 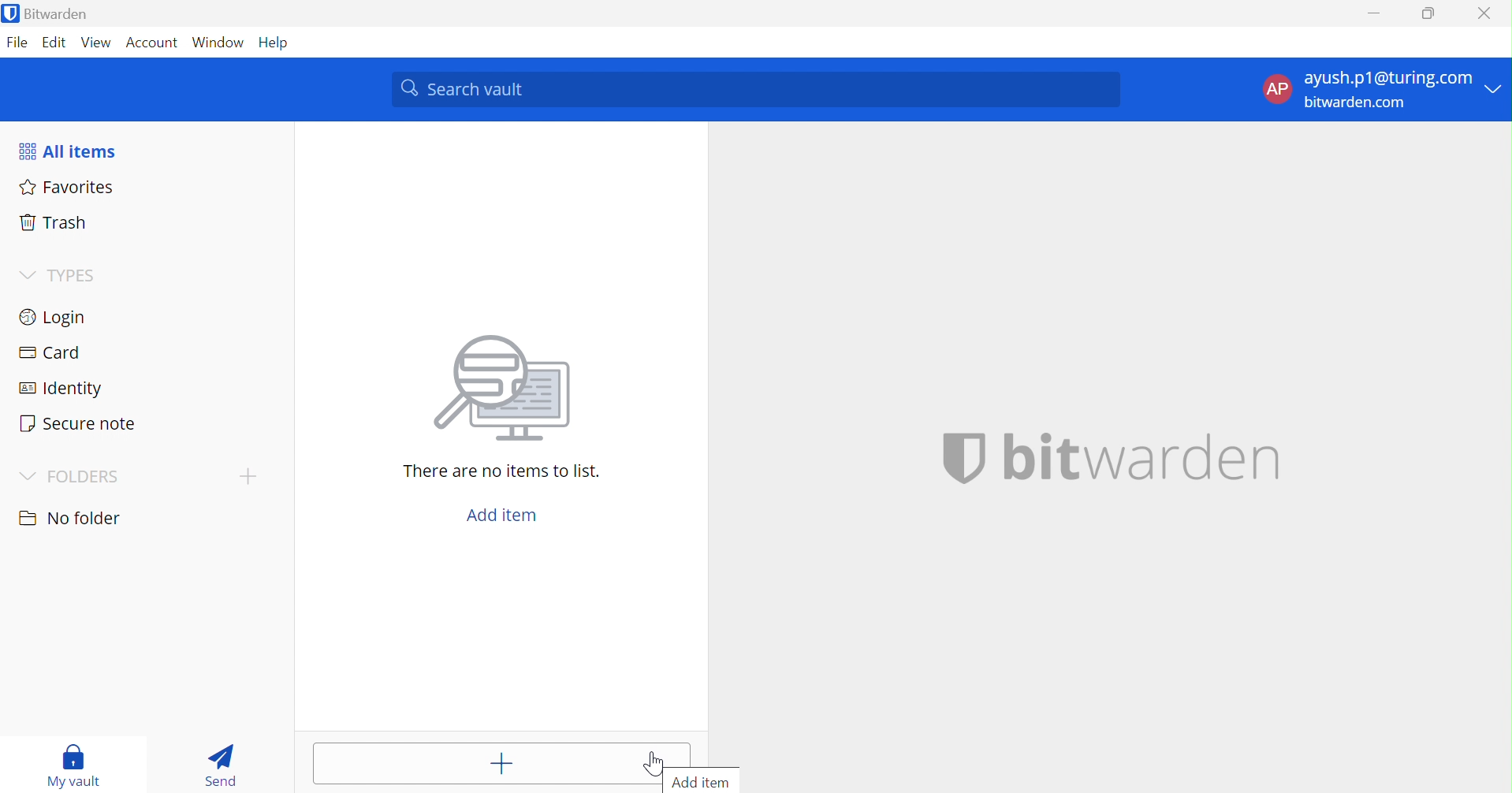 What do you see at coordinates (67, 478) in the screenshot?
I see `FOLDERS` at bounding box center [67, 478].